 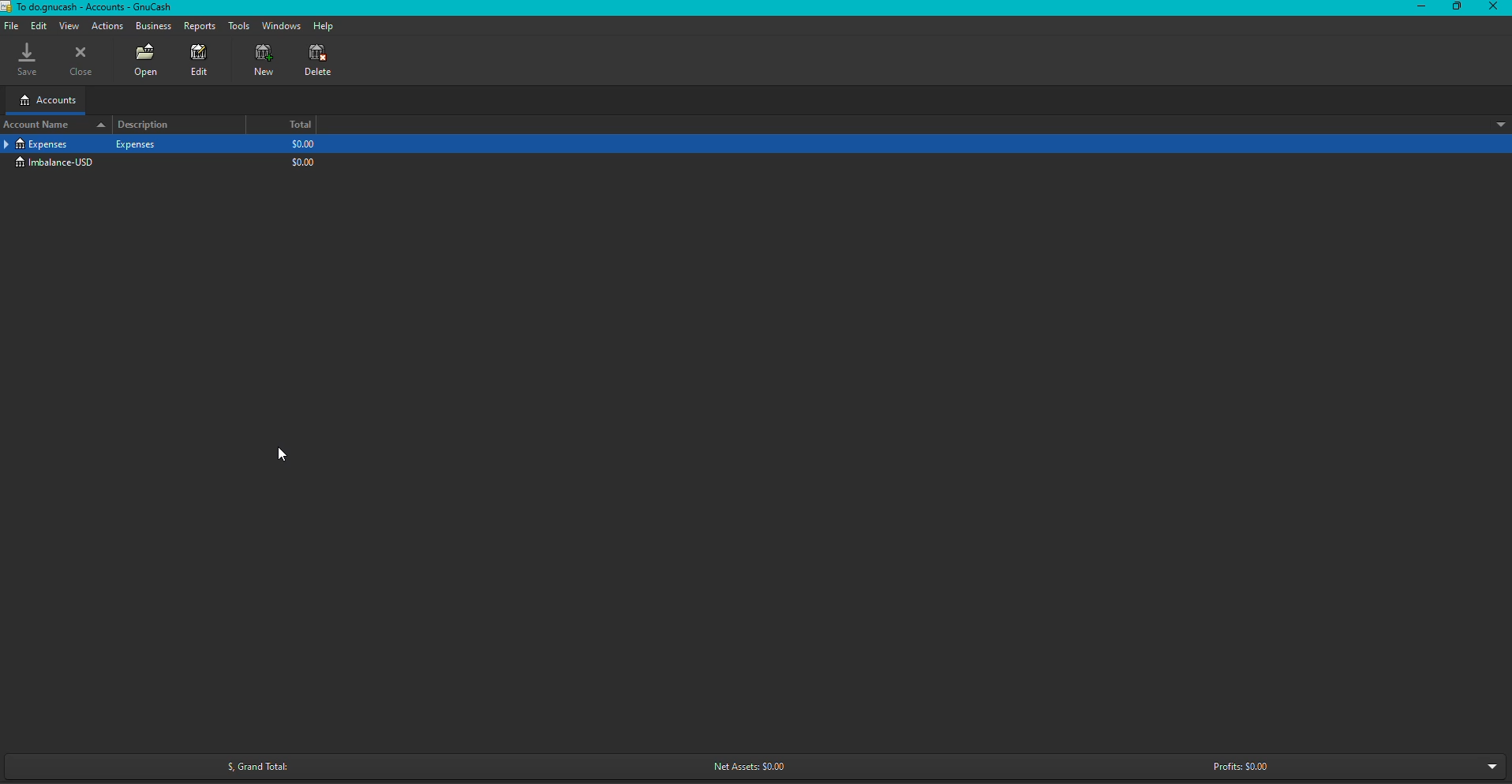 What do you see at coordinates (154, 28) in the screenshot?
I see `Business` at bounding box center [154, 28].